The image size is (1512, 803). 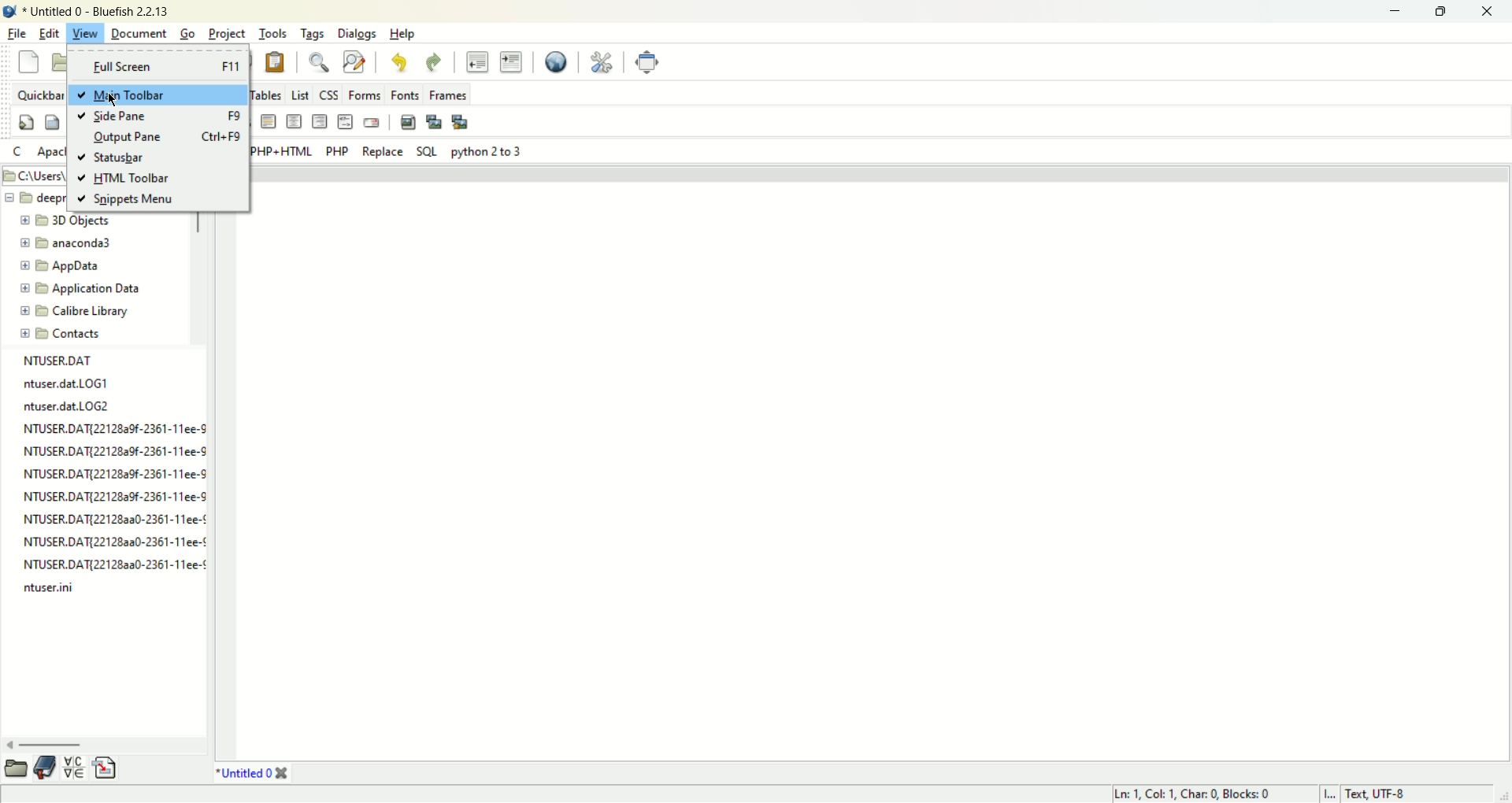 What do you see at coordinates (18, 34) in the screenshot?
I see `file` at bounding box center [18, 34].